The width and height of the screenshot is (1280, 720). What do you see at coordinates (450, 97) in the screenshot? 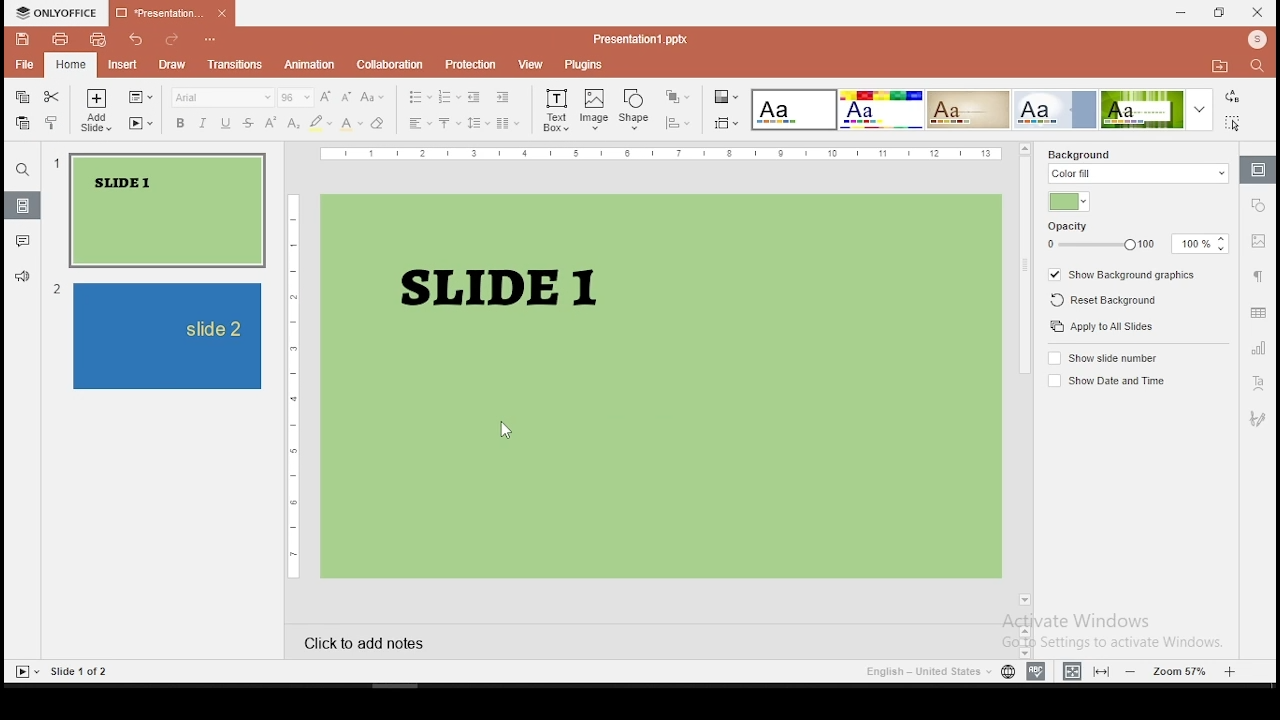
I see `numbering` at bounding box center [450, 97].